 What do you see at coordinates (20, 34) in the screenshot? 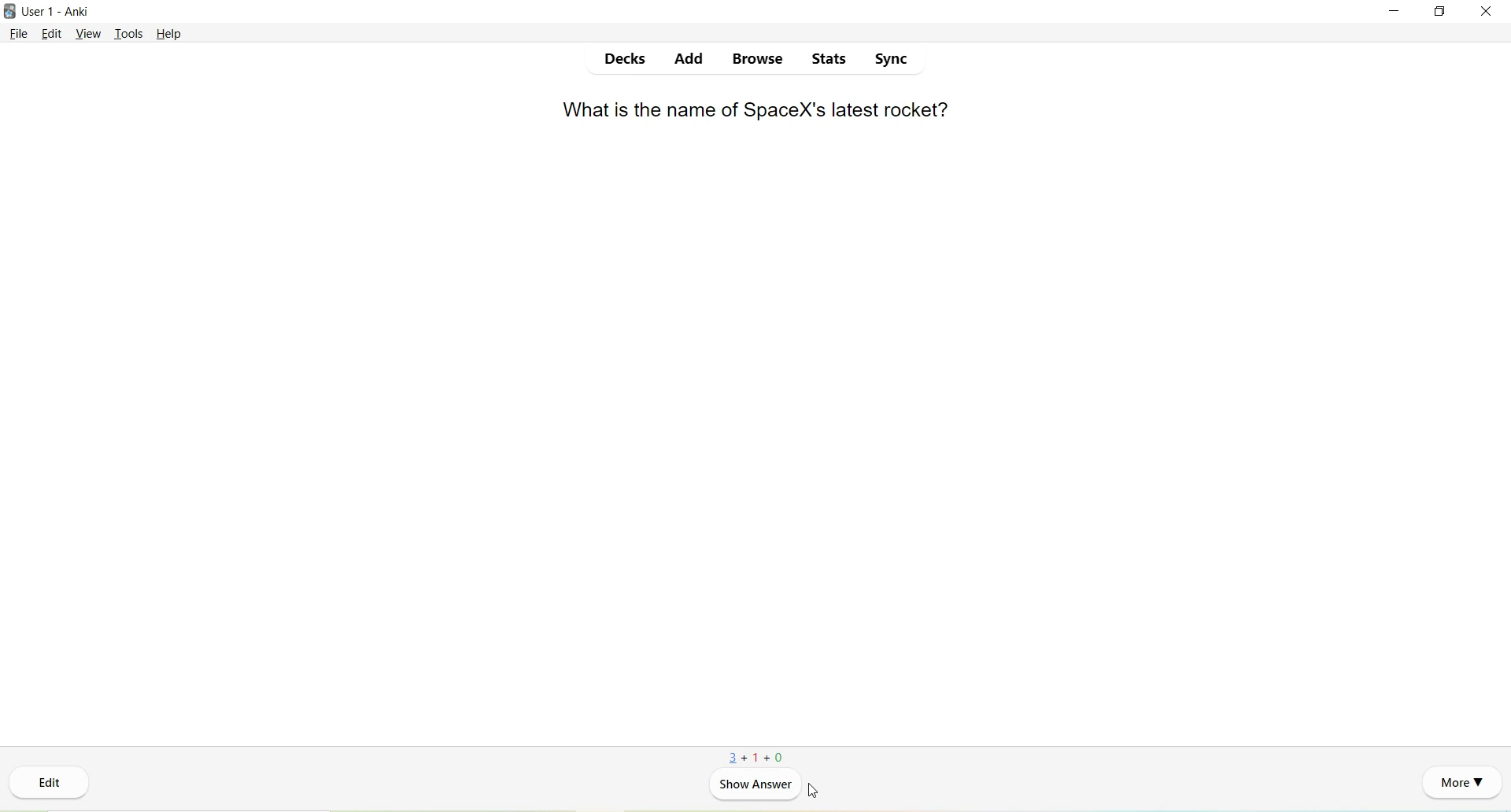
I see `File` at bounding box center [20, 34].